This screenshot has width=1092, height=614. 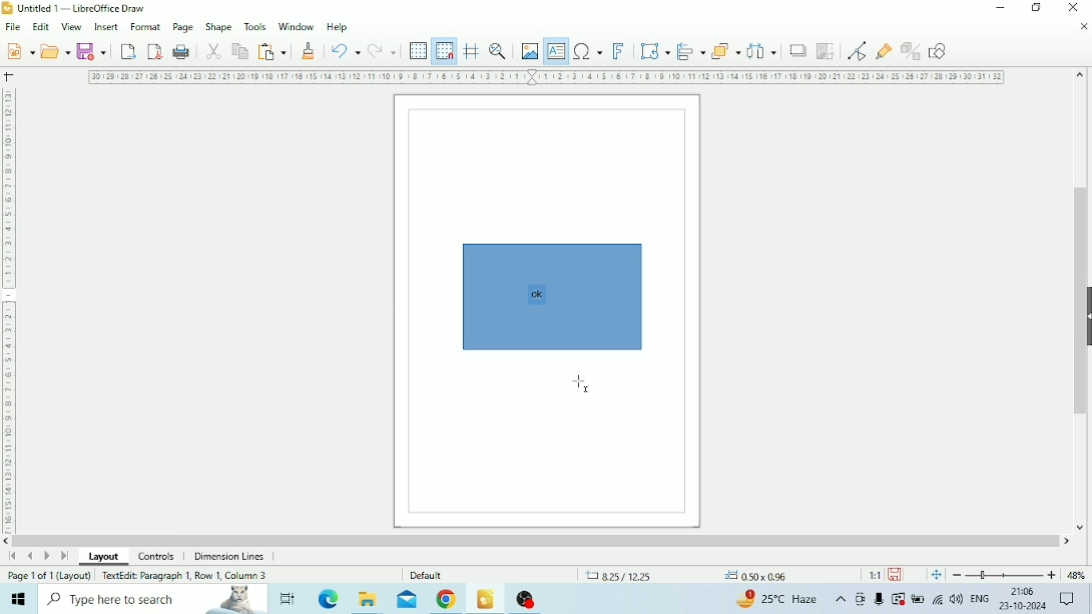 I want to click on Snap to Grid, so click(x=445, y=52).